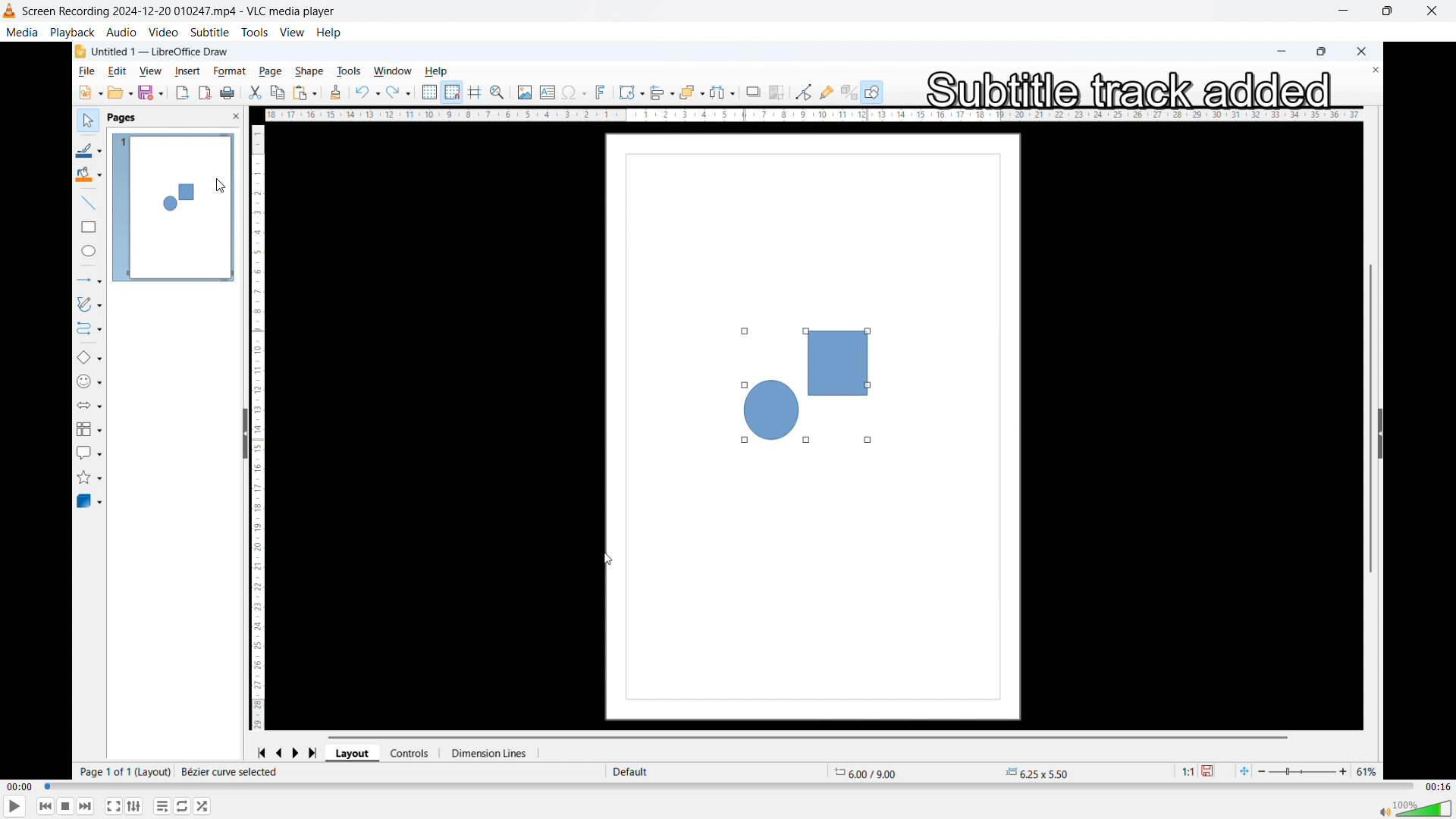 The height and width of the screenshot is (819, 1456). I want to click on crop image, so click(778, 91).